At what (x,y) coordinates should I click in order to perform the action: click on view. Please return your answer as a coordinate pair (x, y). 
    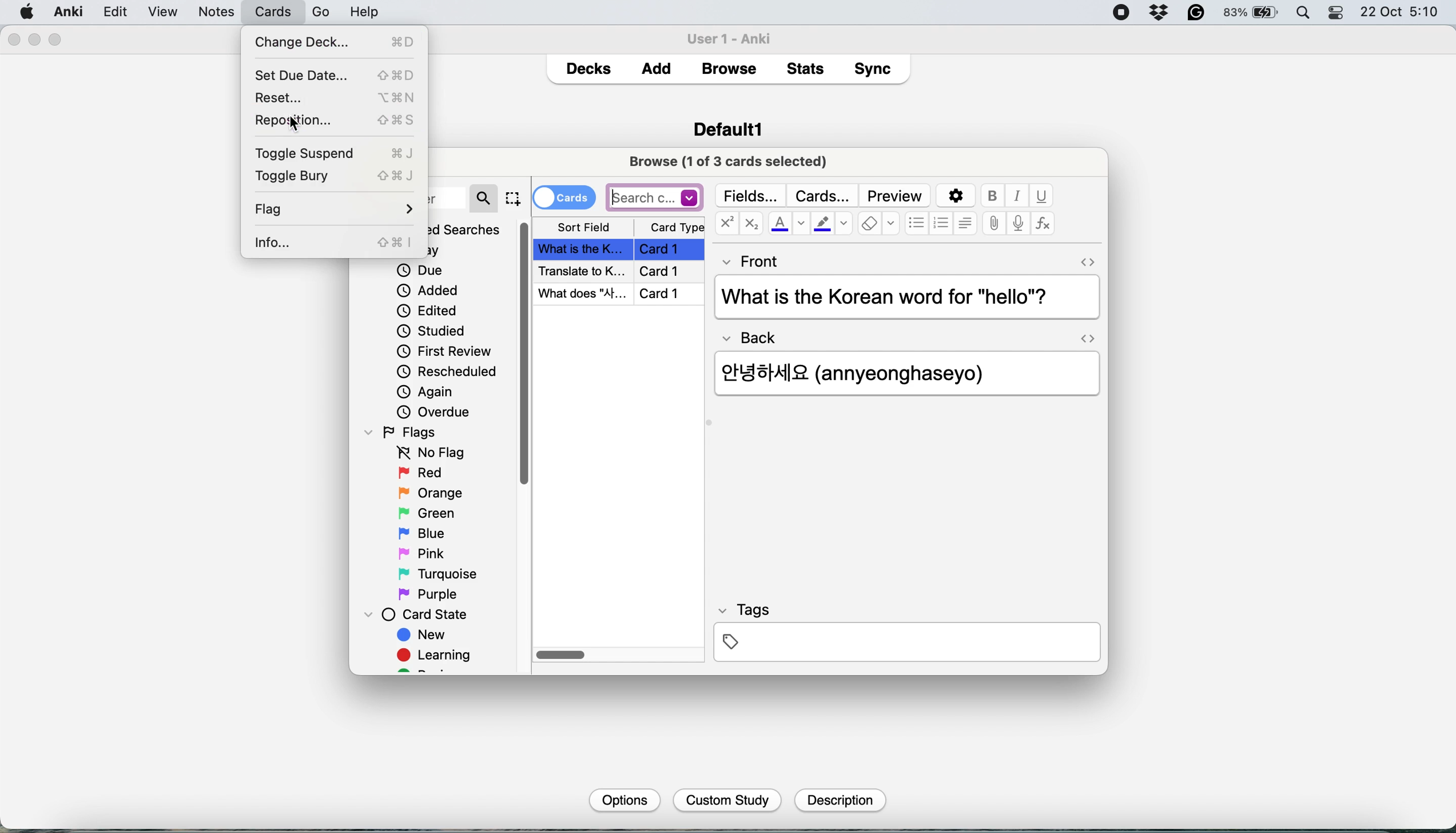
    Looking at the image, I should click on (209, 13).